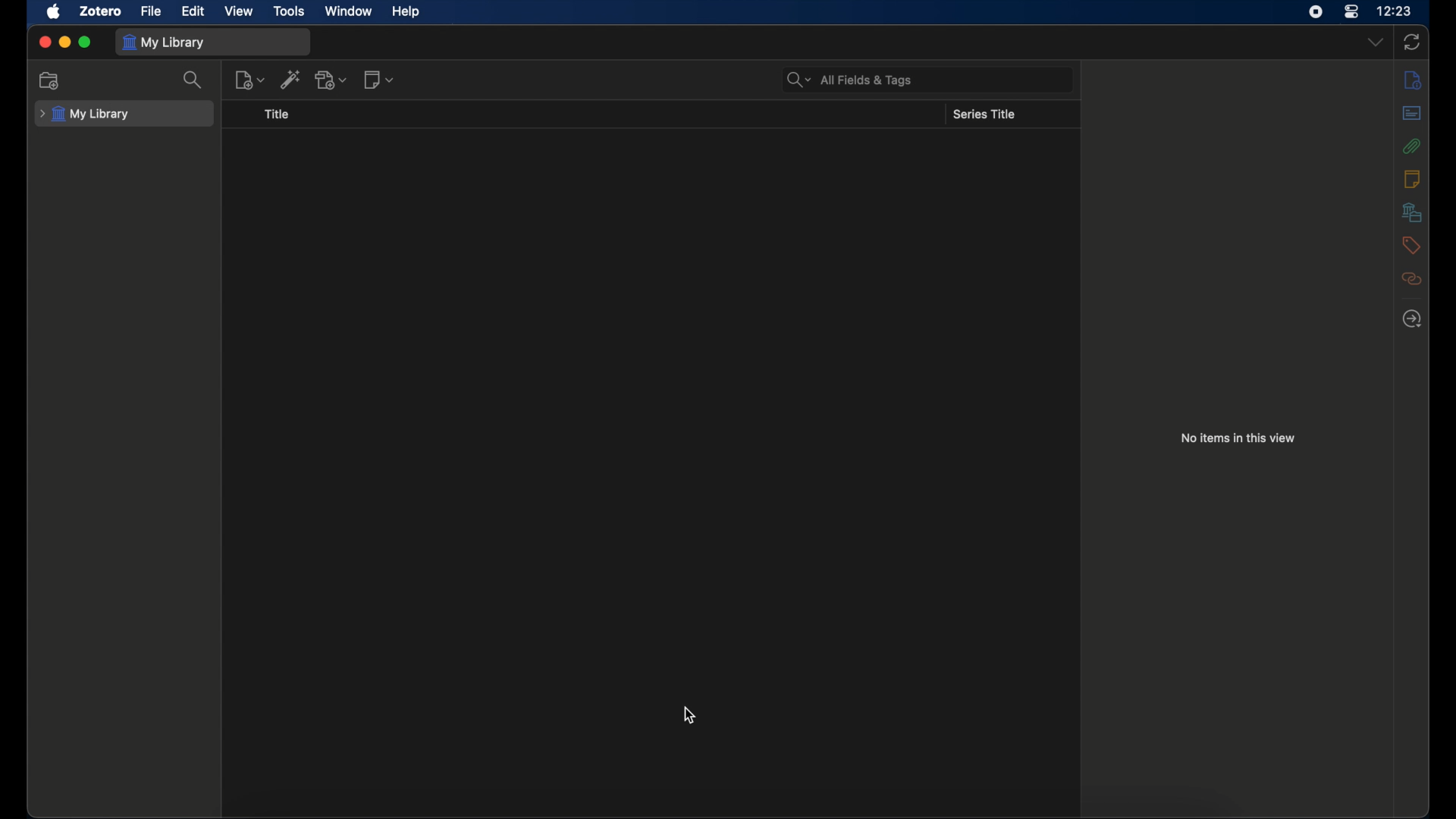 The width and height of the screenshot is (1456, 819). I want to click on no items in this view, so click(1241, 438).